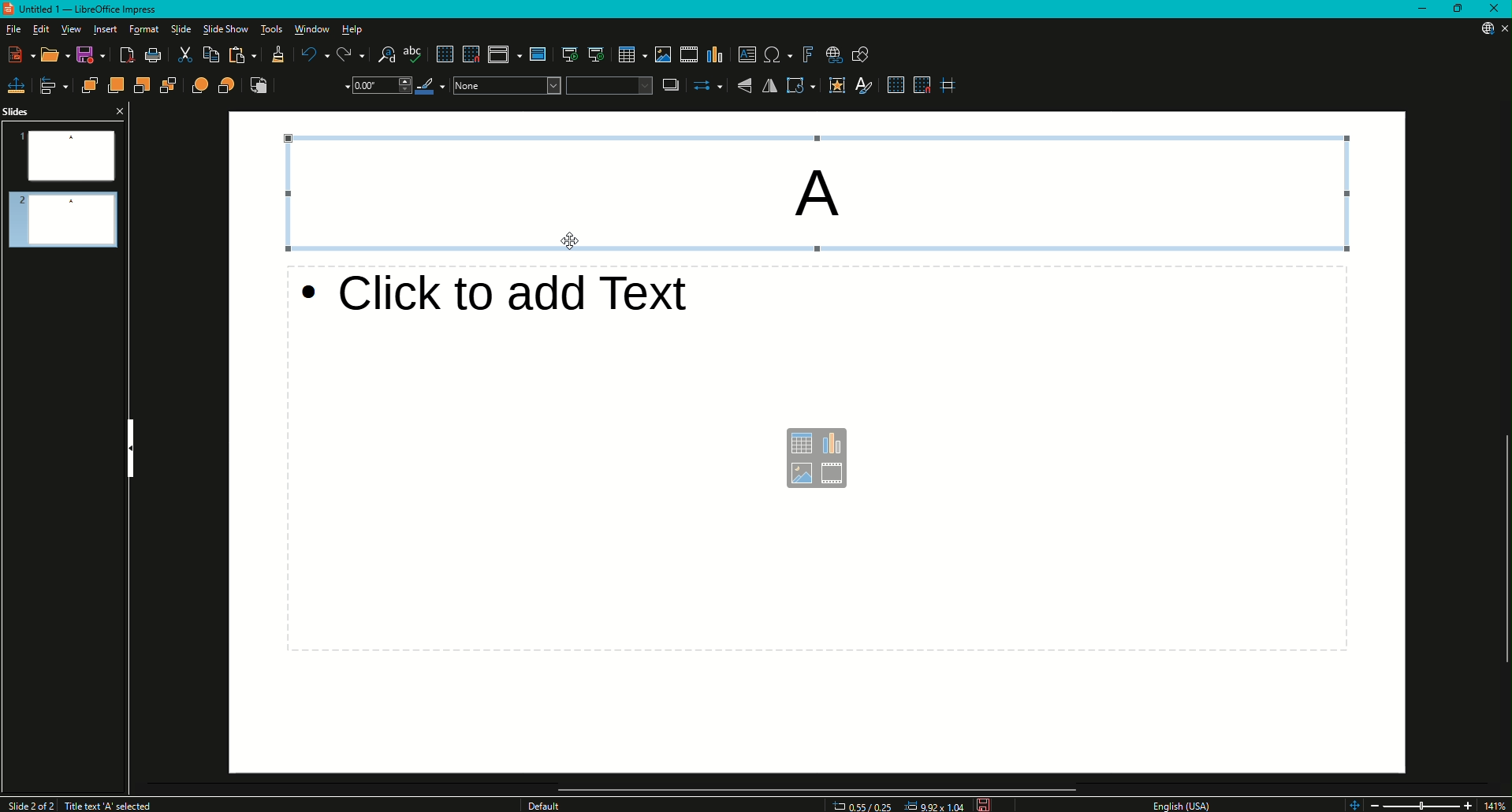  I want to click on Slide Show, so click(226, 30).